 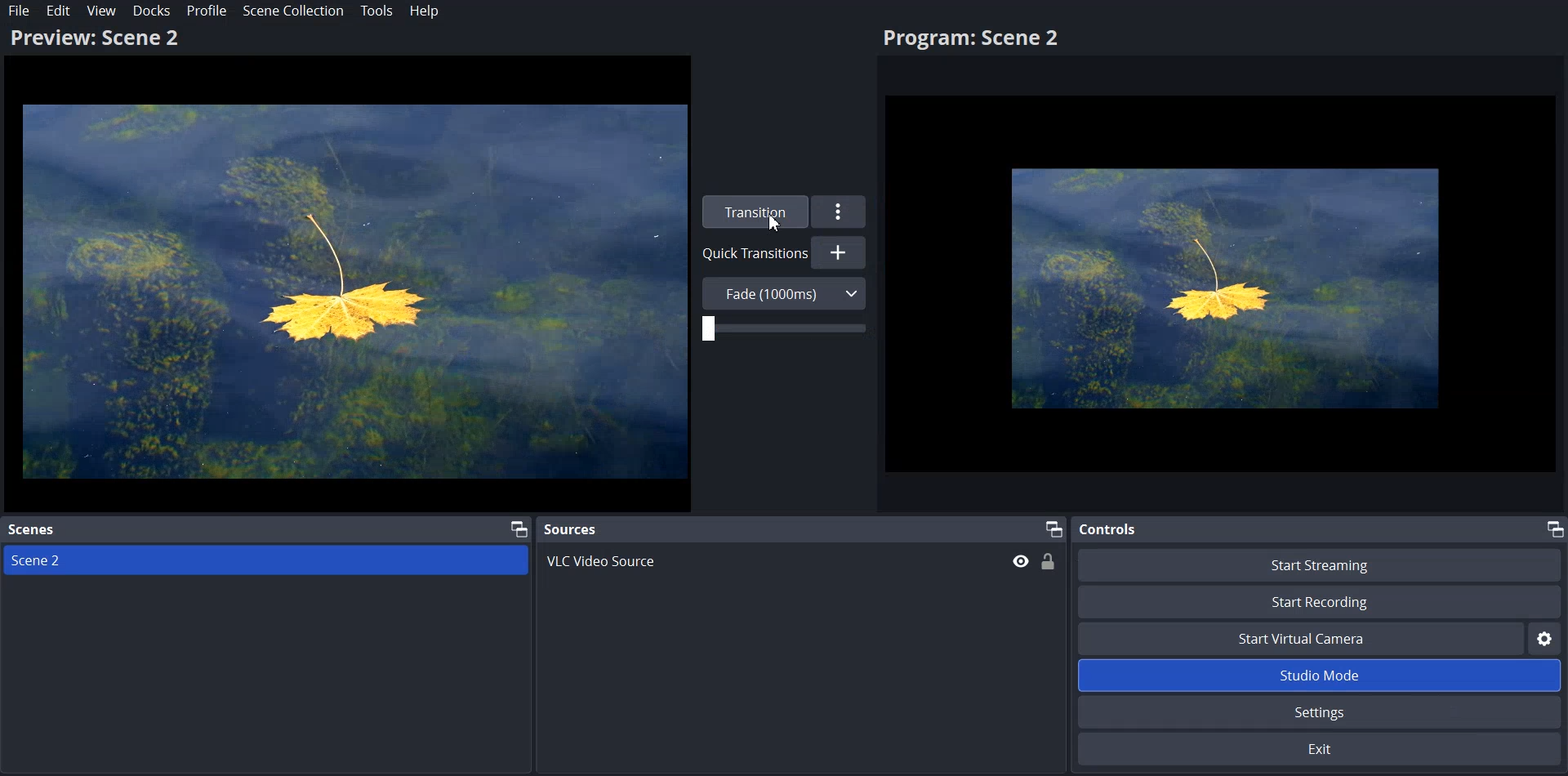 I want to click on Maximize, so click(x=1054, y=528).